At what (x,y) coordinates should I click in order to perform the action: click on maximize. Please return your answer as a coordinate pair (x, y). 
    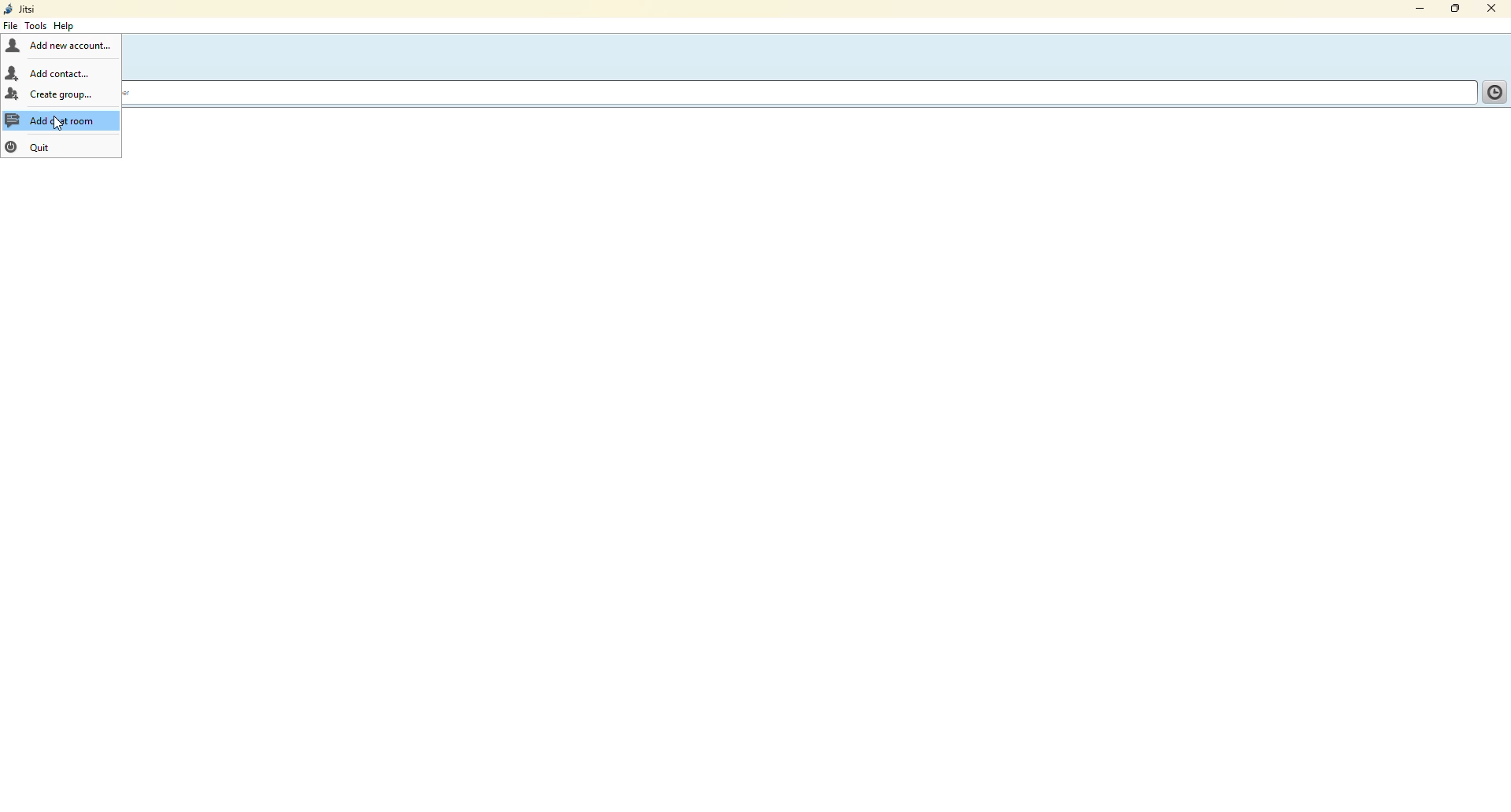
    Looking at the image, I should click on (1452, 8).